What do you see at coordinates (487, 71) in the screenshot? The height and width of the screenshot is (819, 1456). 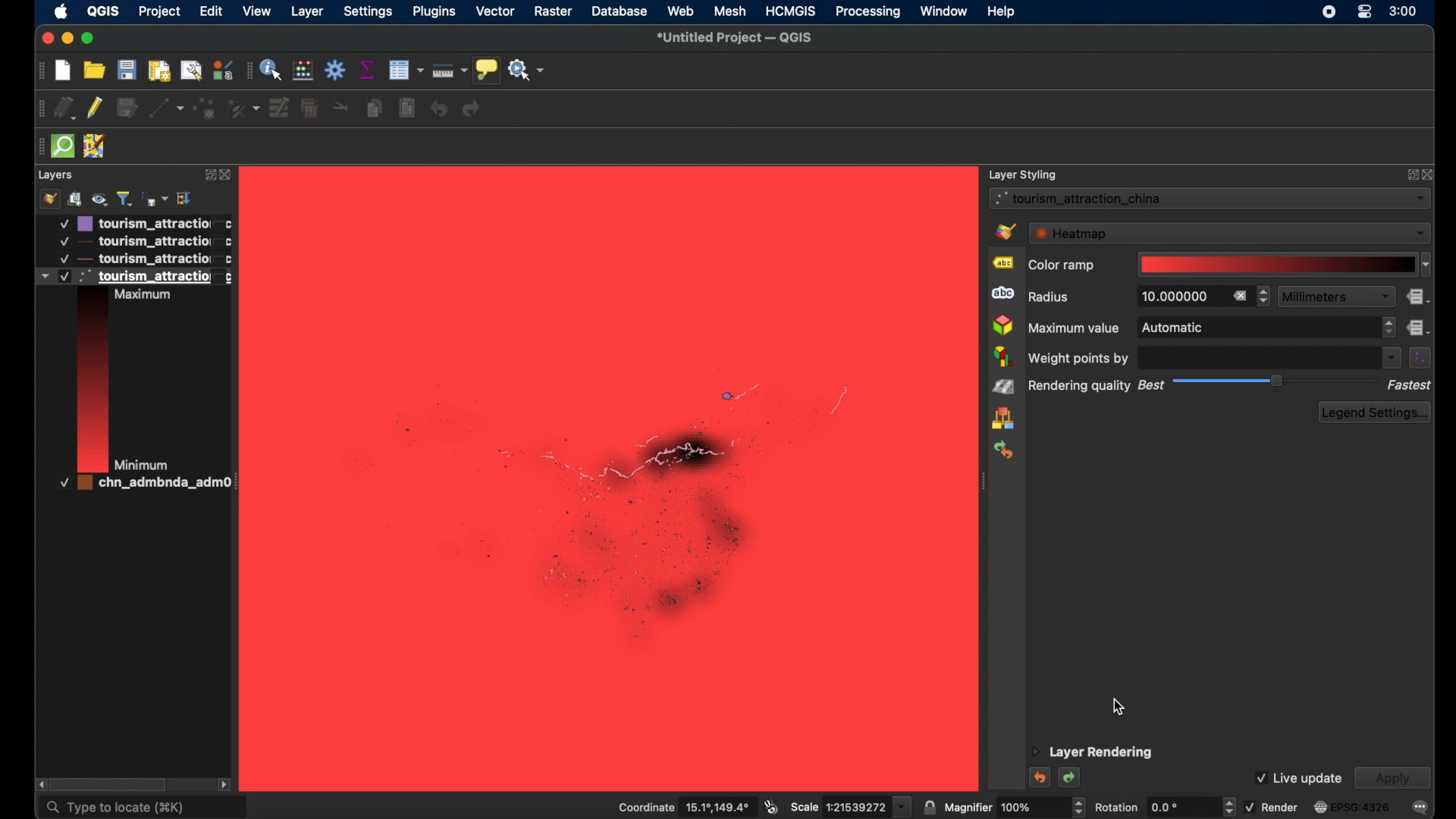 I see `show map tips` at bounding box center [487, 71].